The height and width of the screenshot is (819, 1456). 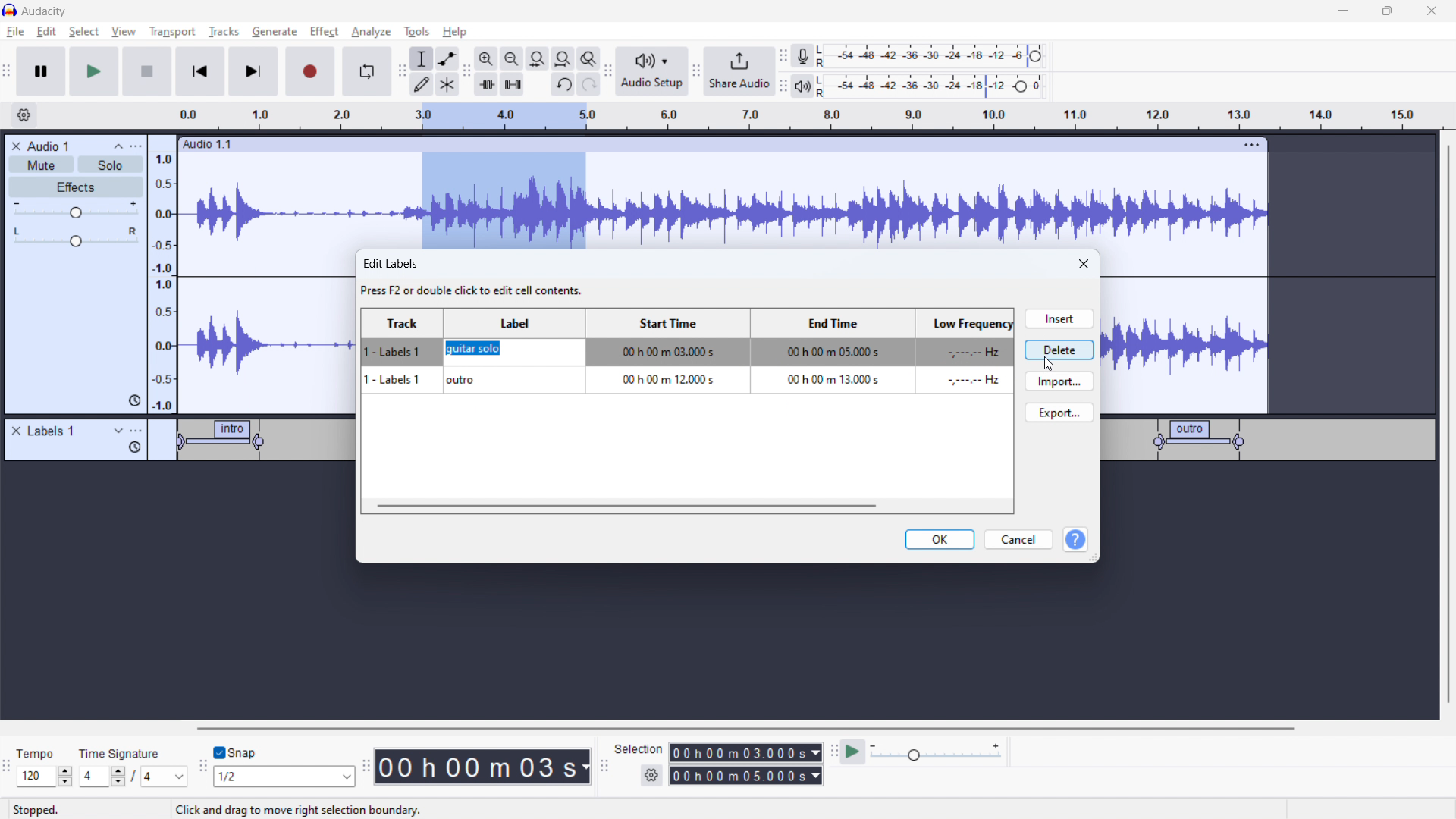 What do you see at coordinates (962, 366) in the screenshot?
I see `low frequency` at bounding box center [962, 366].